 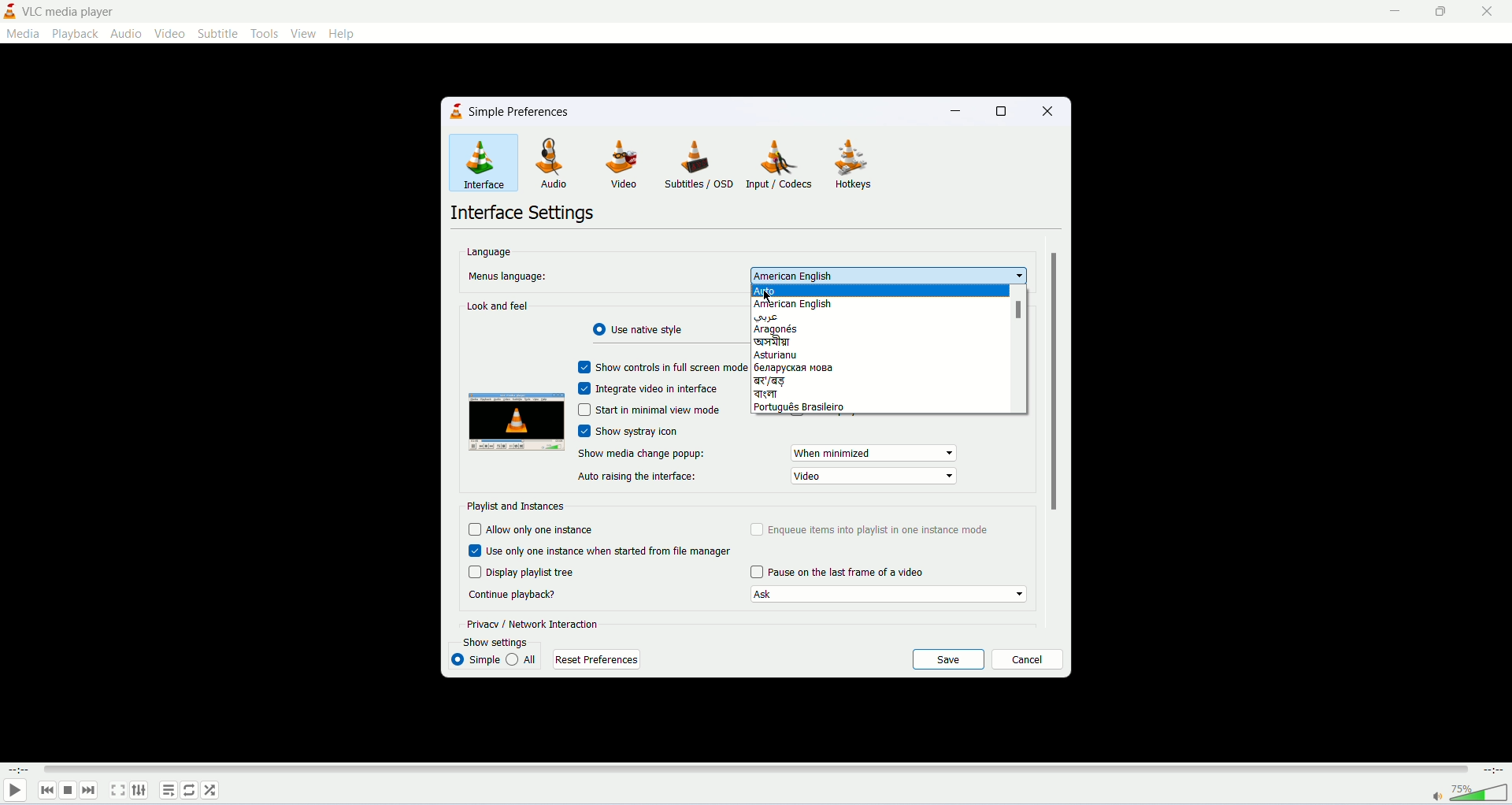 I want to click on subtitle, so click(x=220, y=33).